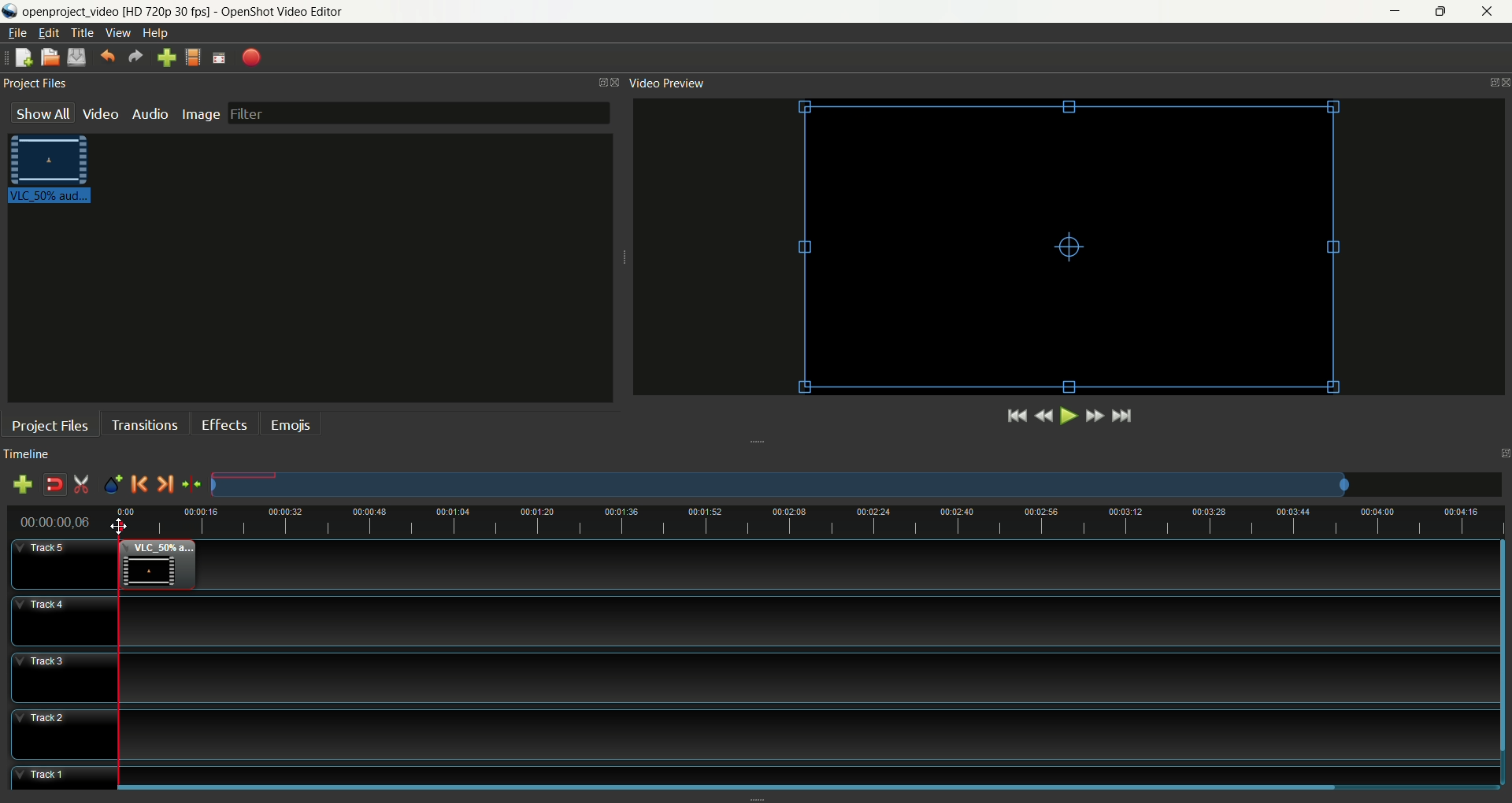  What do you see at coordinates (144, 424) in the screenshot?
I see `transition` at bounding box center [144, 424].